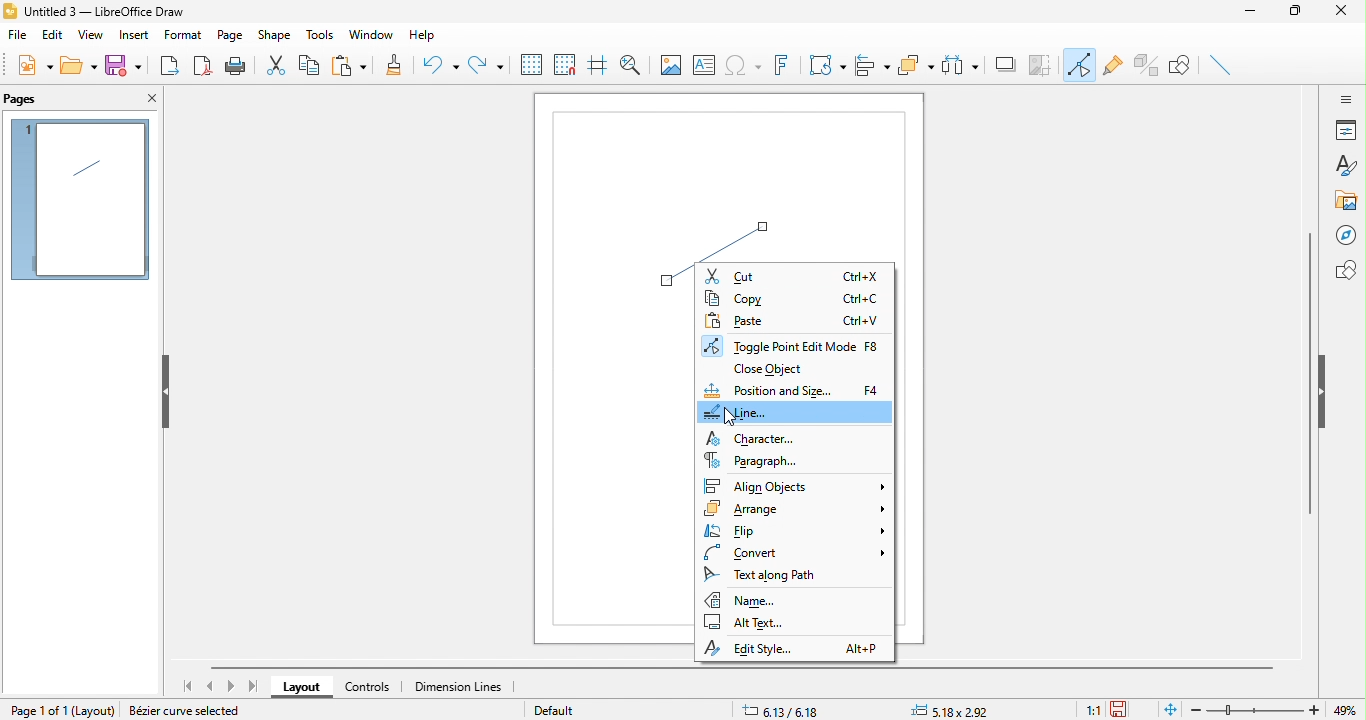 The image size is (1366, 720). I want to click on last page, so click(252, 686).